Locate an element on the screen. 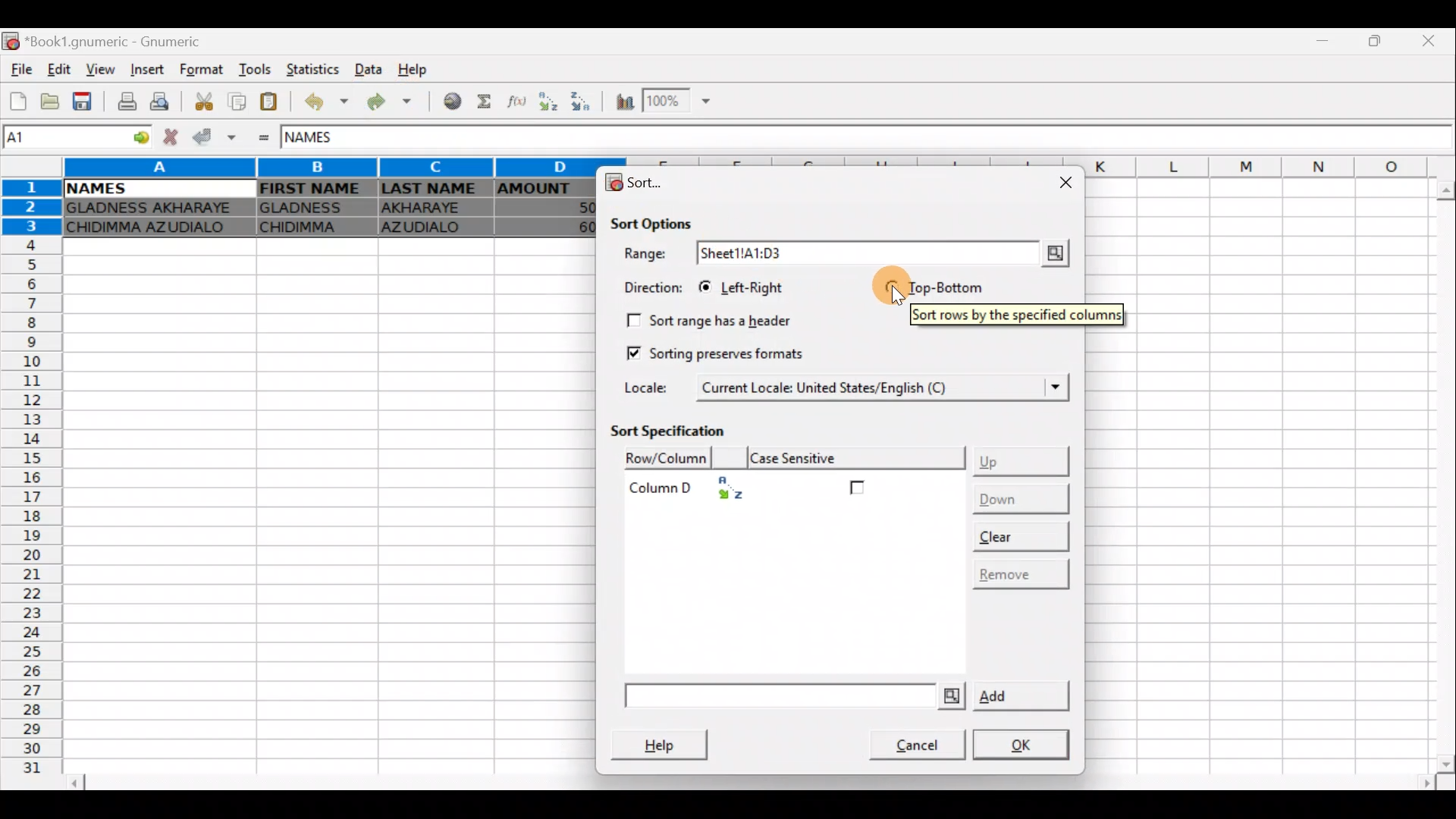 Image resolution: width=1456 pixels, height=819 pixels. Help is located at coordinates (423, 66).